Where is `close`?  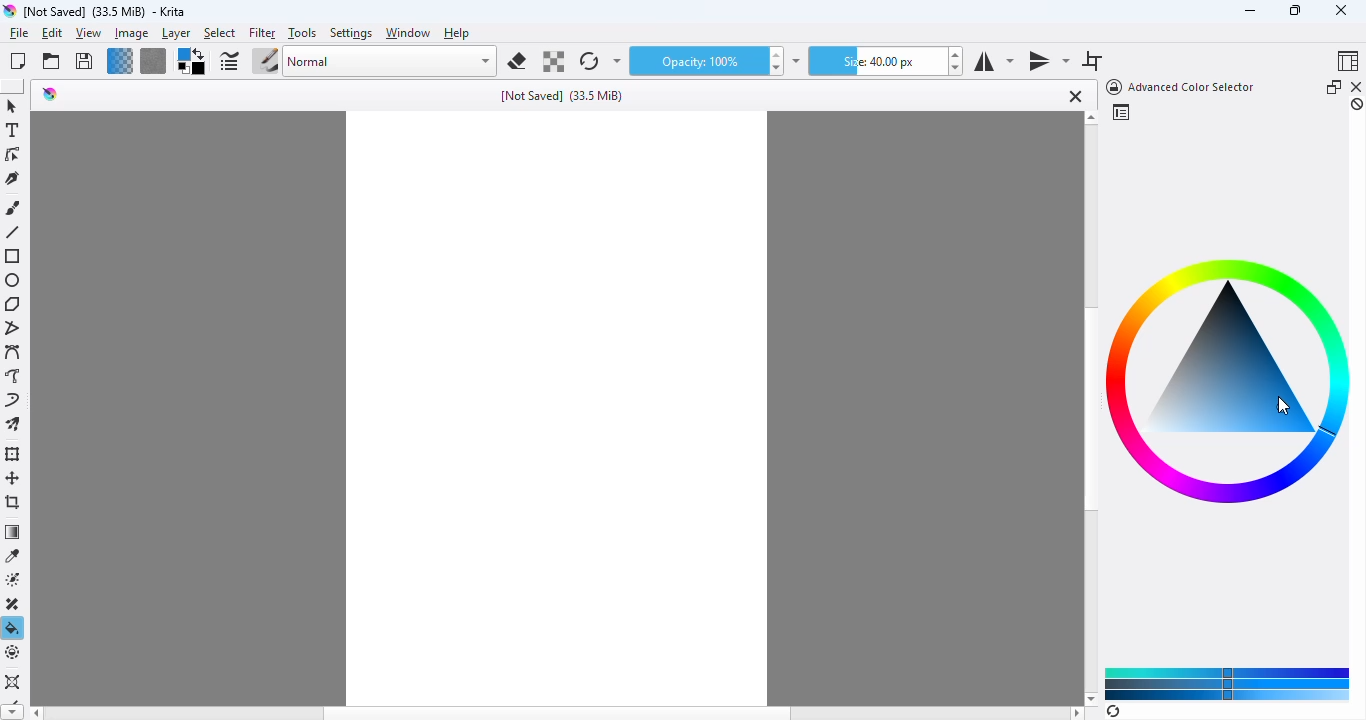
close is located at coordinates (1341, 10).